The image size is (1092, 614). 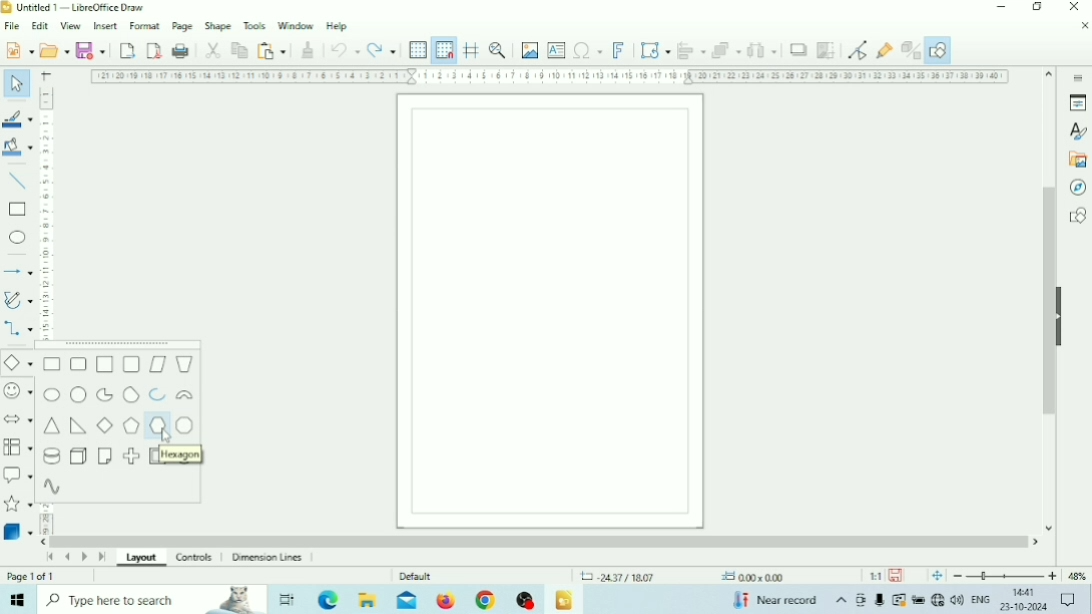 I want to click on Print, so click(x=181, y=51).